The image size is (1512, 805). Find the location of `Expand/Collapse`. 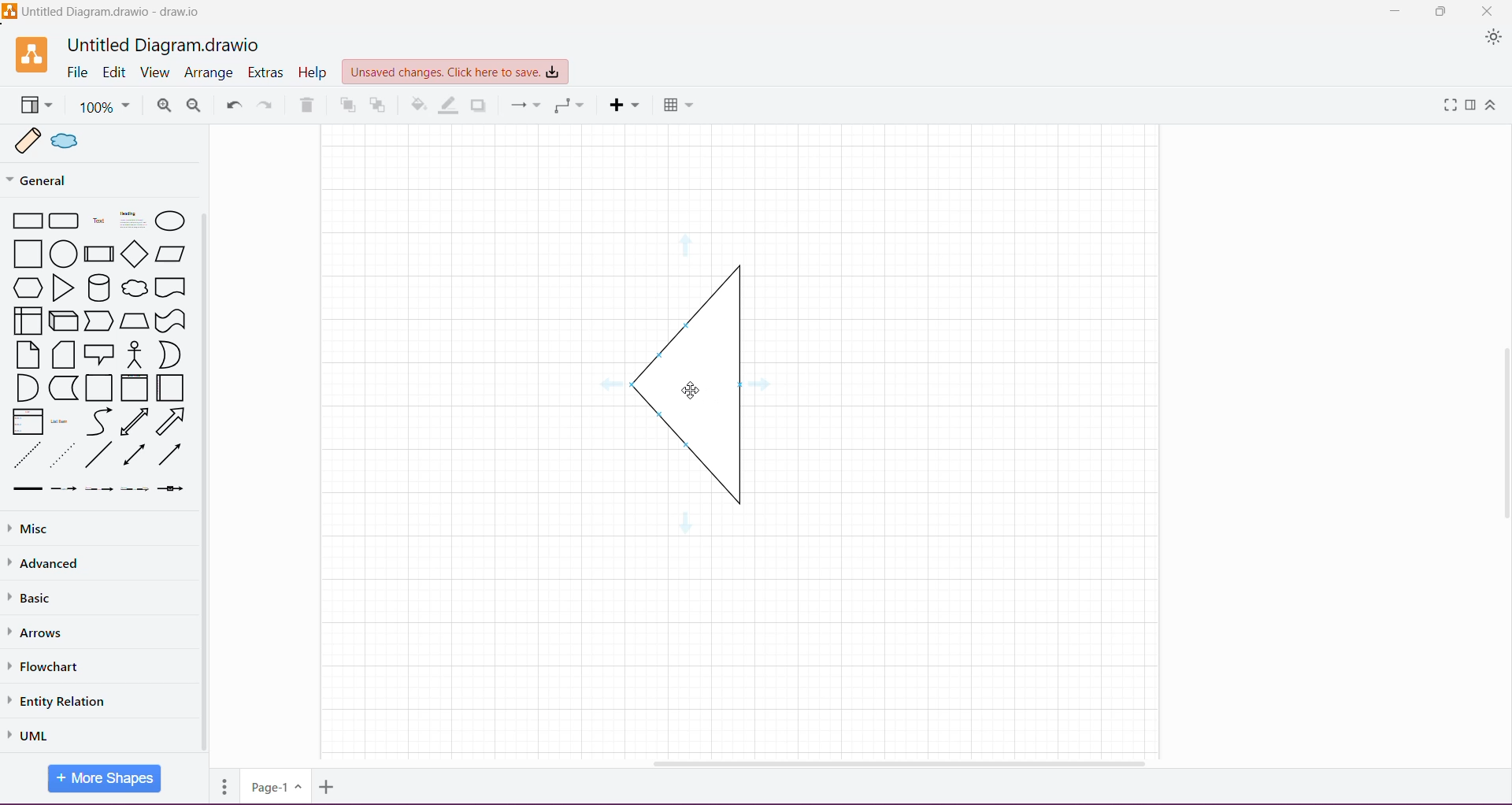

Expand/Collapse is located at coordinates (1495, 106).